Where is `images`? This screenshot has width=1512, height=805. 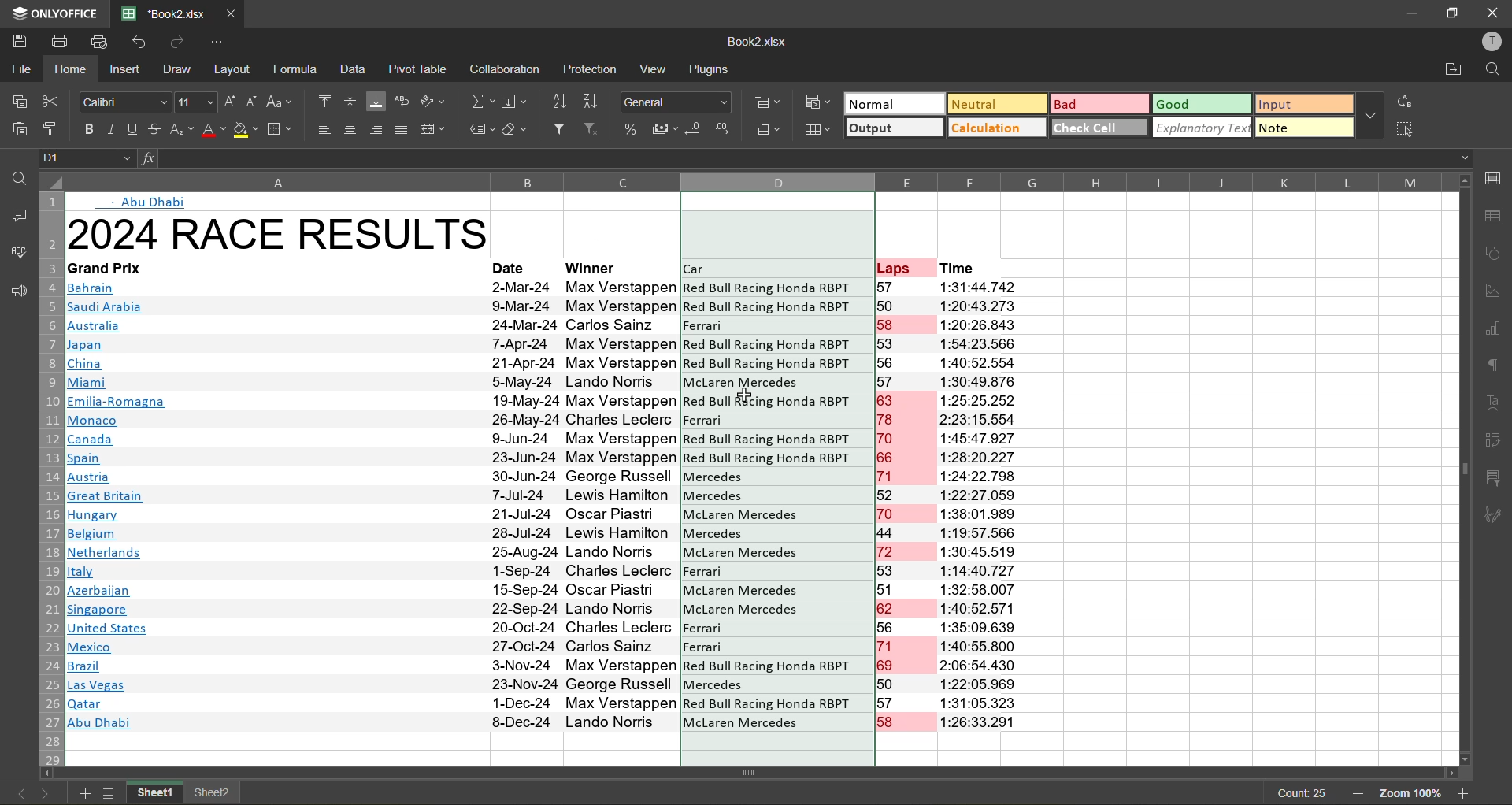 images is located at coordinates (1496, 293).